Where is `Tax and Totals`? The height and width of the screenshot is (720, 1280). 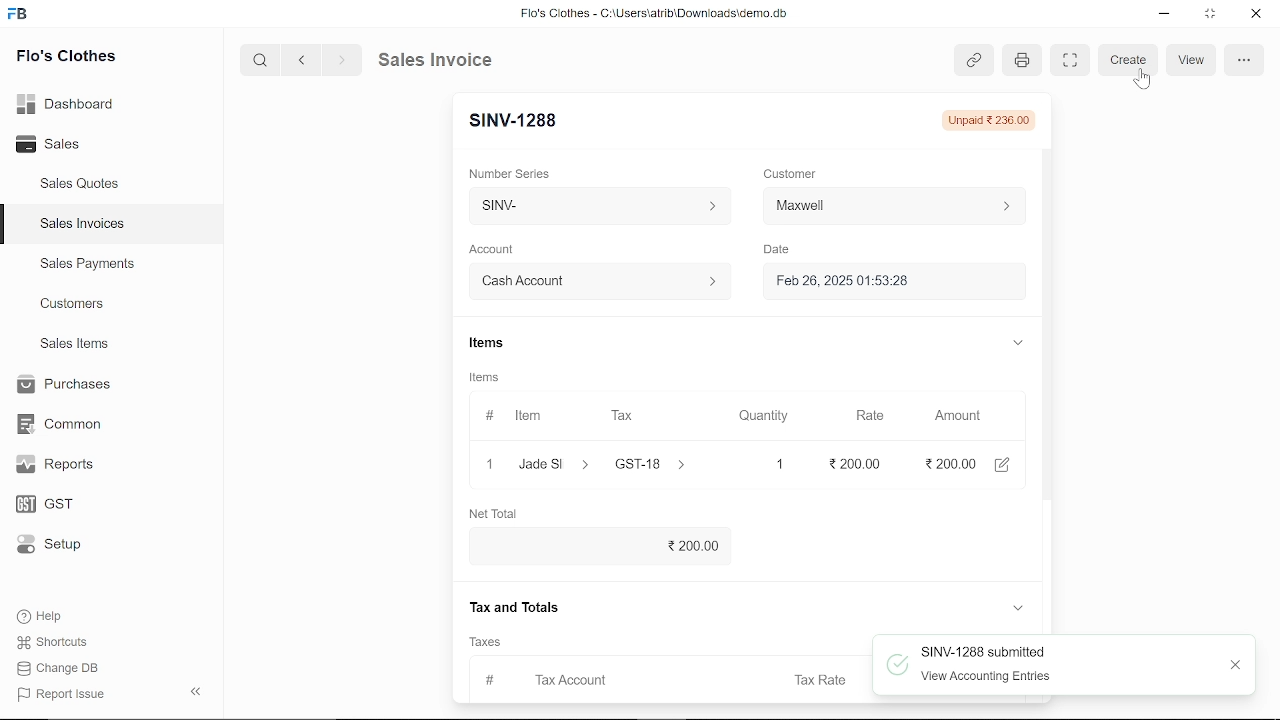
Tax and Totals is located at coordinates (518, 607).